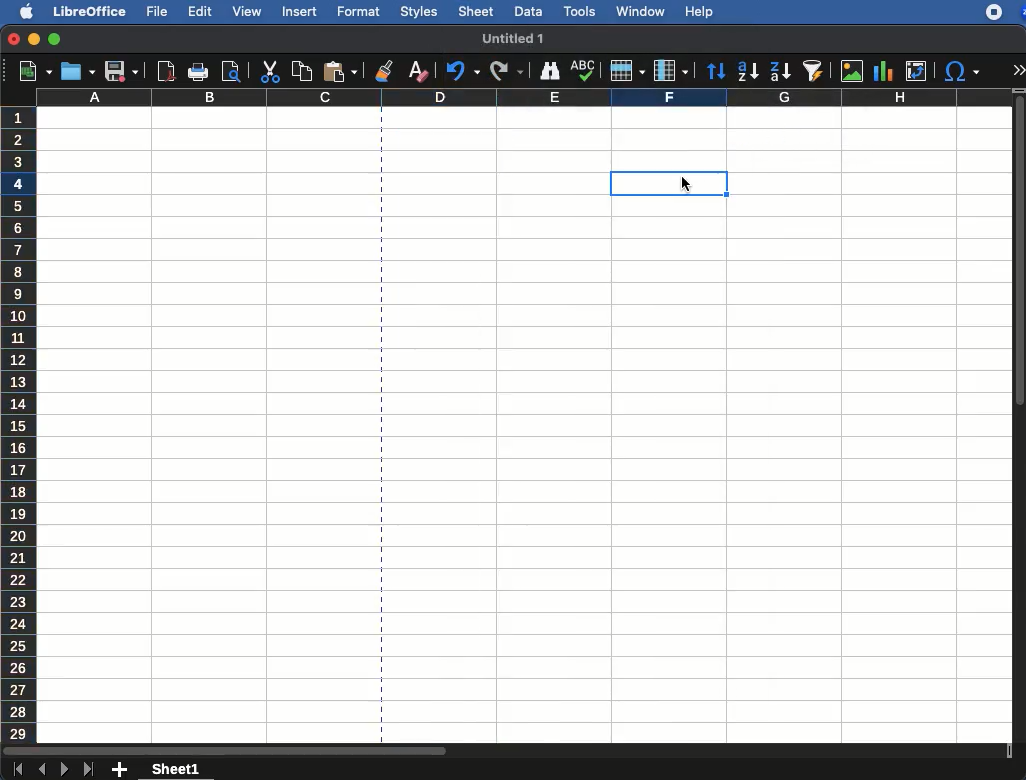  I want to click on cut, so click(269, 71).